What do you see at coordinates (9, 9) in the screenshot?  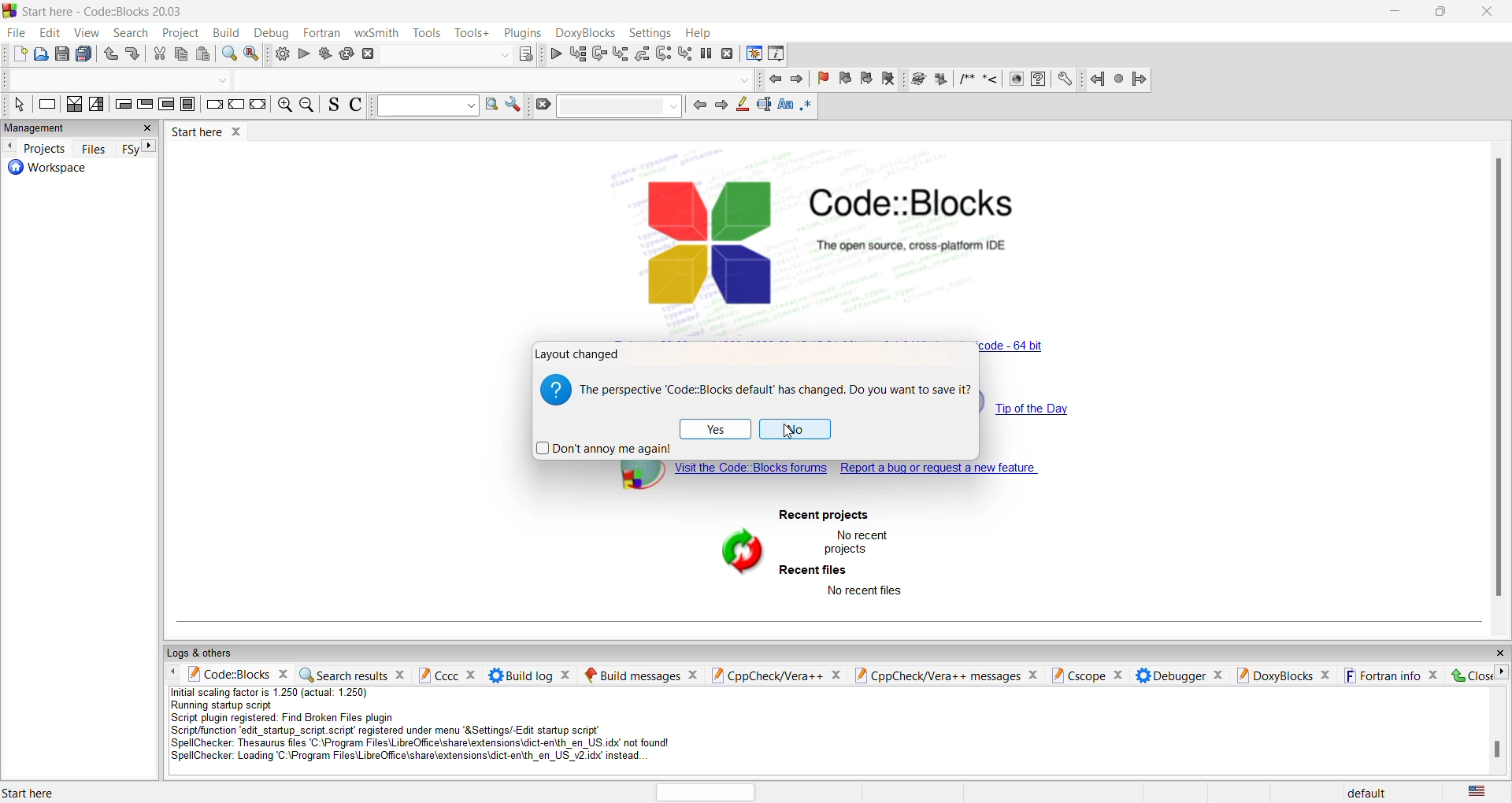 I see `logo` at bounding box center [9, 9].